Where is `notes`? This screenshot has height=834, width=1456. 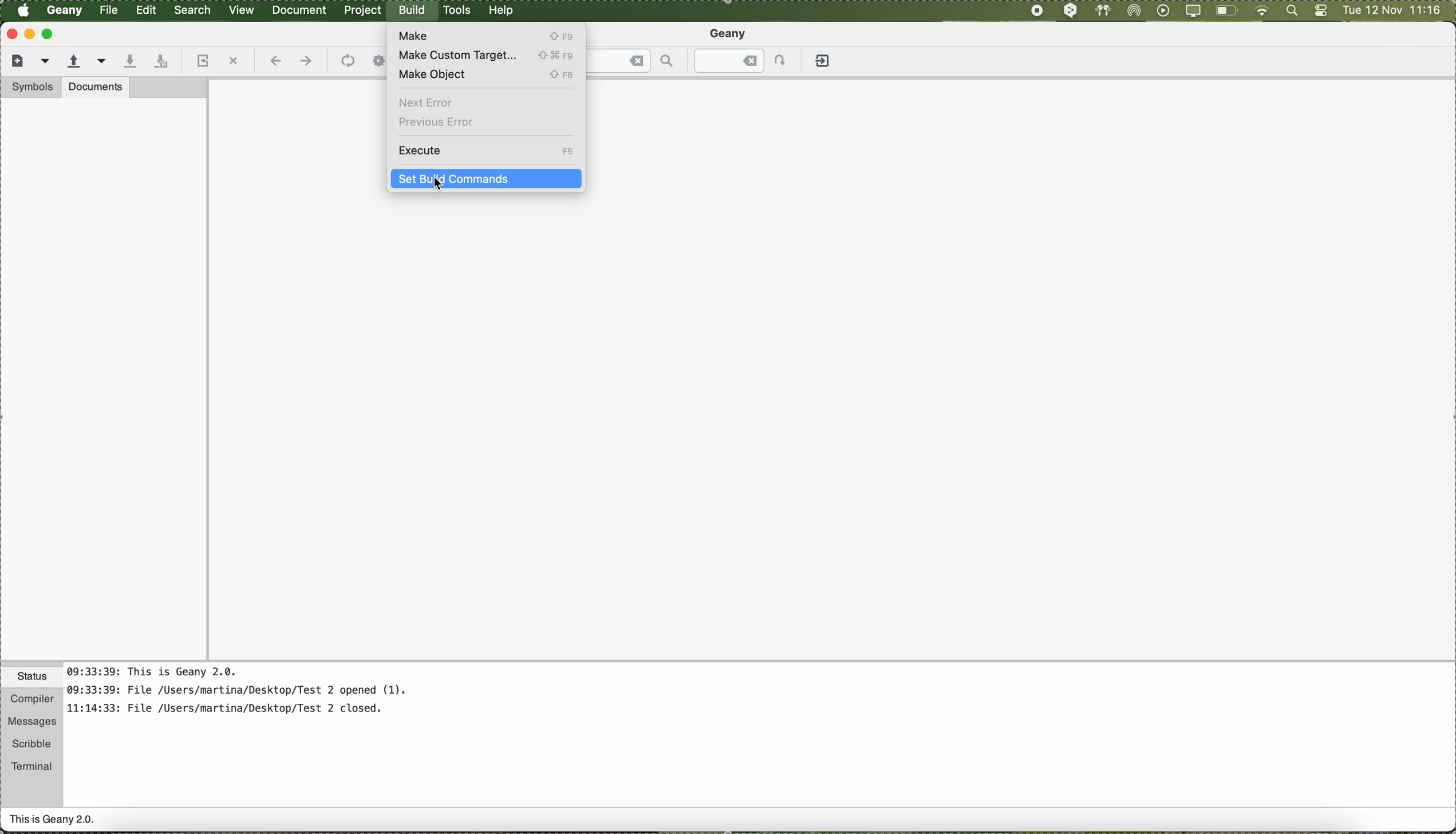
notes is located at coordinates (251, 696).